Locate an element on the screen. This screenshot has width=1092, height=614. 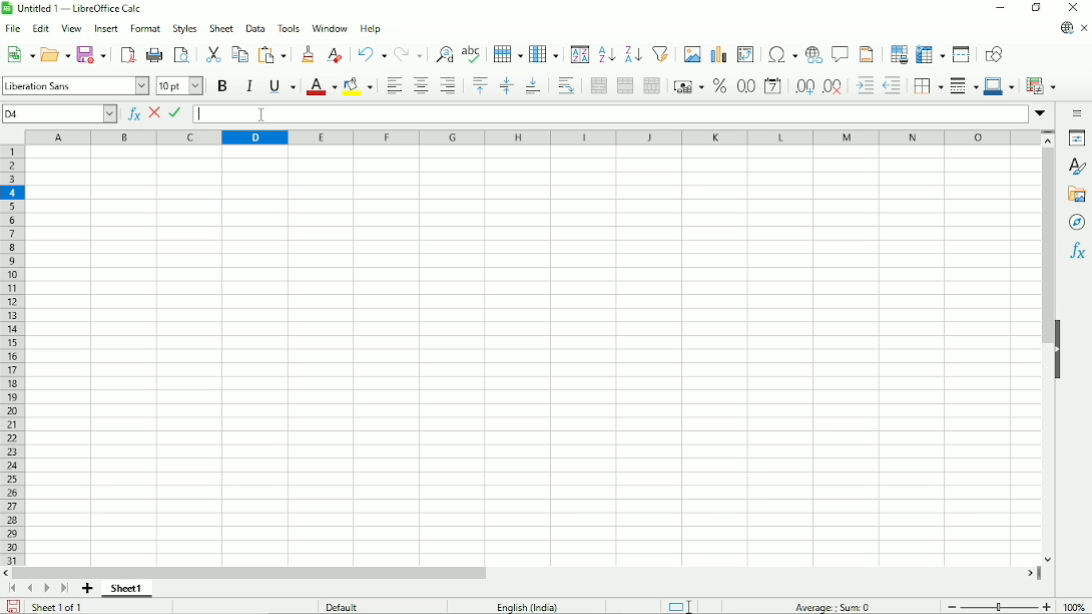
Spell check is located at coordinates (472, 52).